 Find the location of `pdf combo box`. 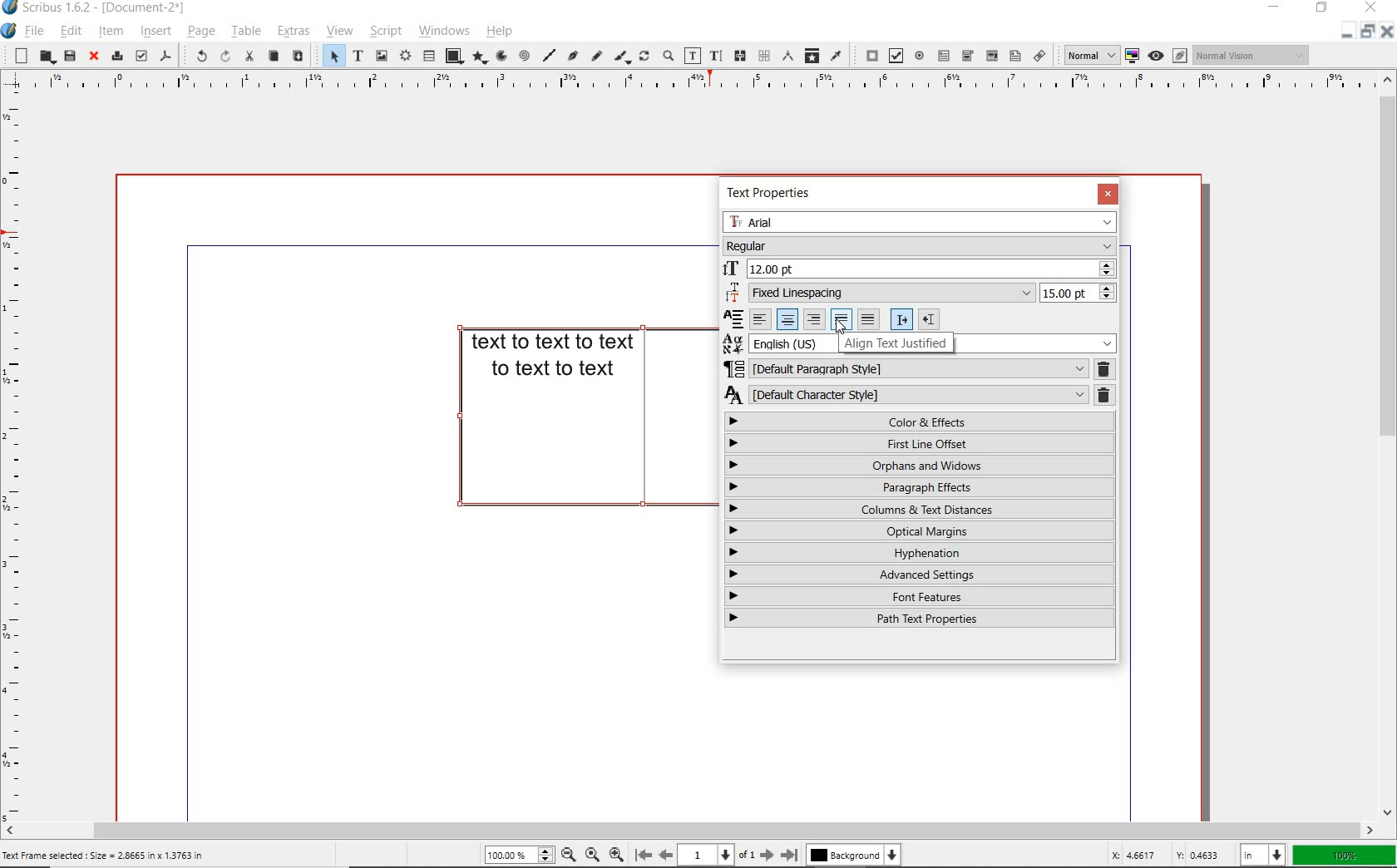

pdf combo box is located at coordinates (990, 55).